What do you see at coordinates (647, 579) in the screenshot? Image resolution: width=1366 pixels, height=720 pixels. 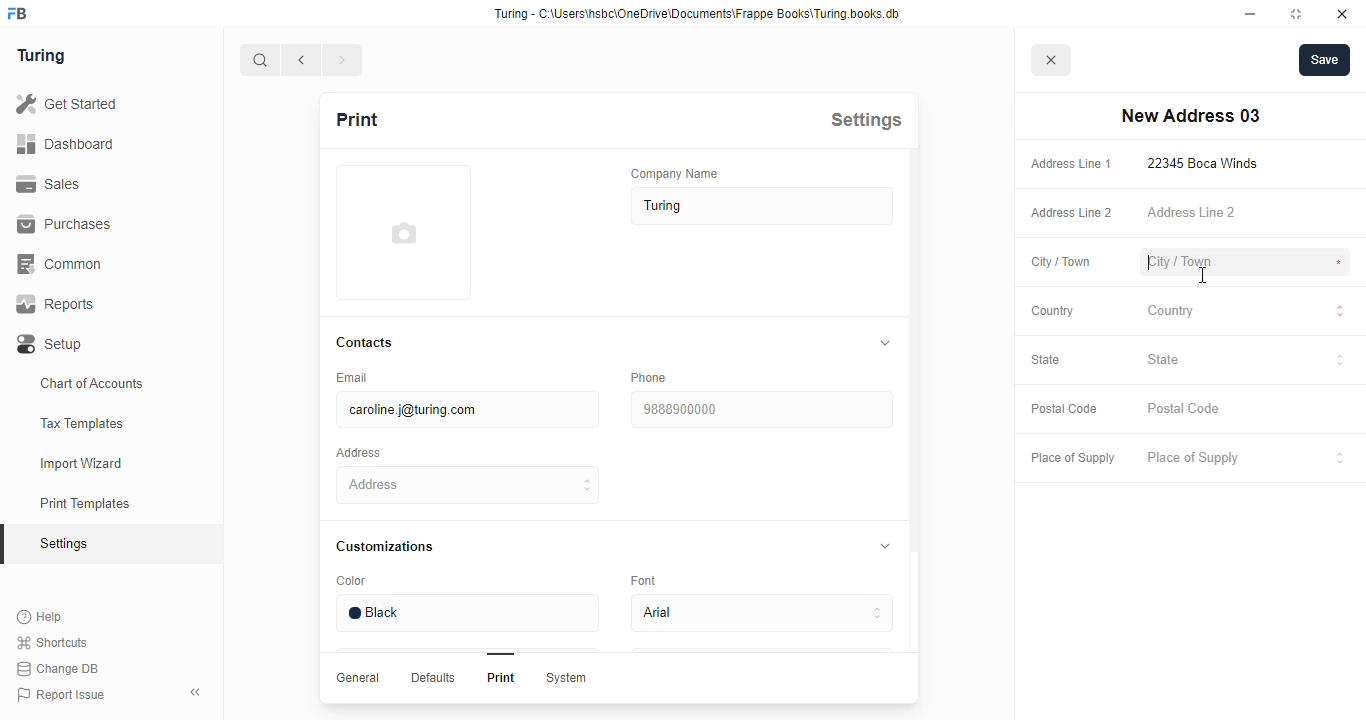 I see `font` at bounding box center [647, 579].